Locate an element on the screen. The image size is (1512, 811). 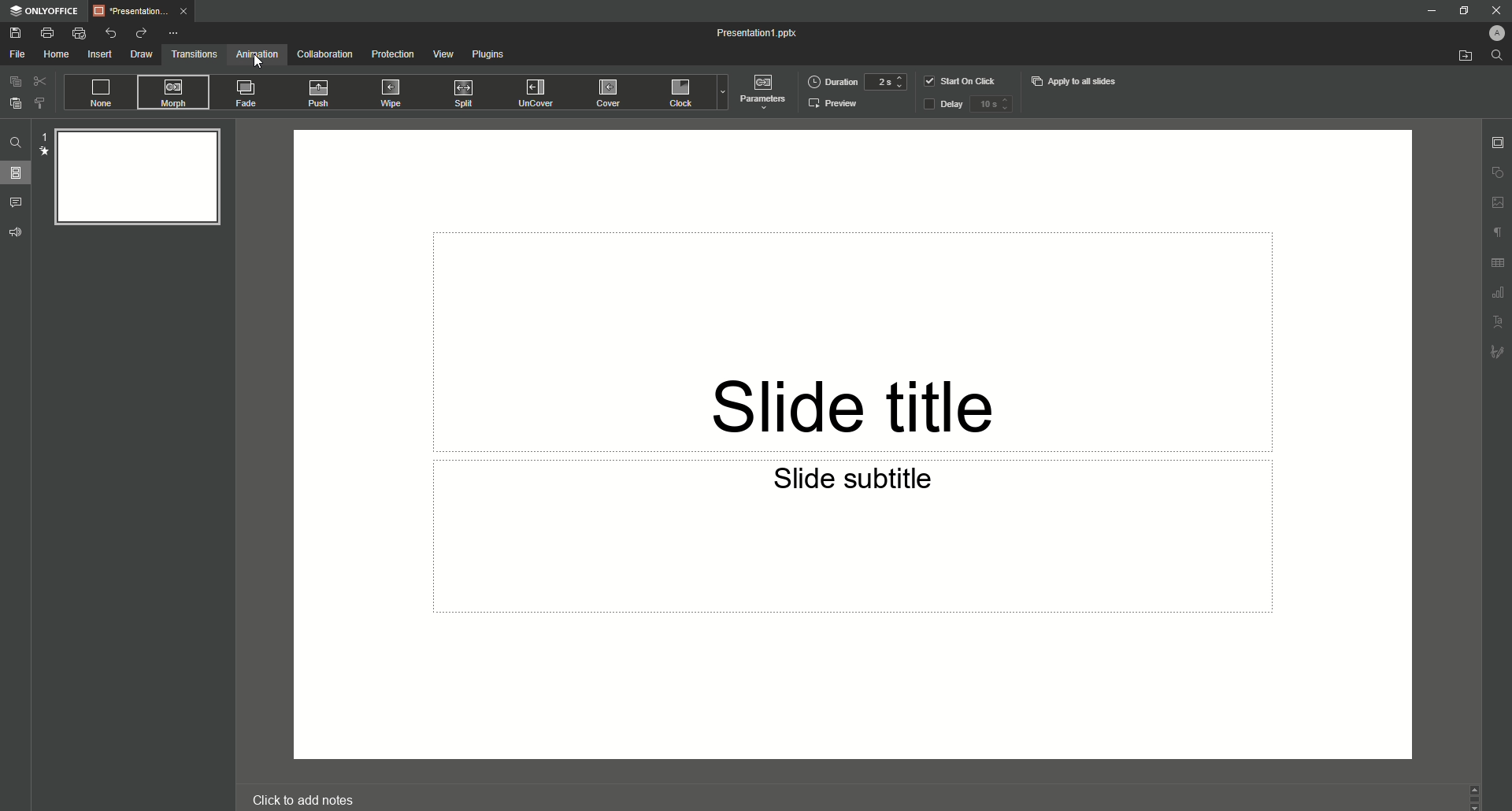
Collaboration is located at coordinates (326, 54).